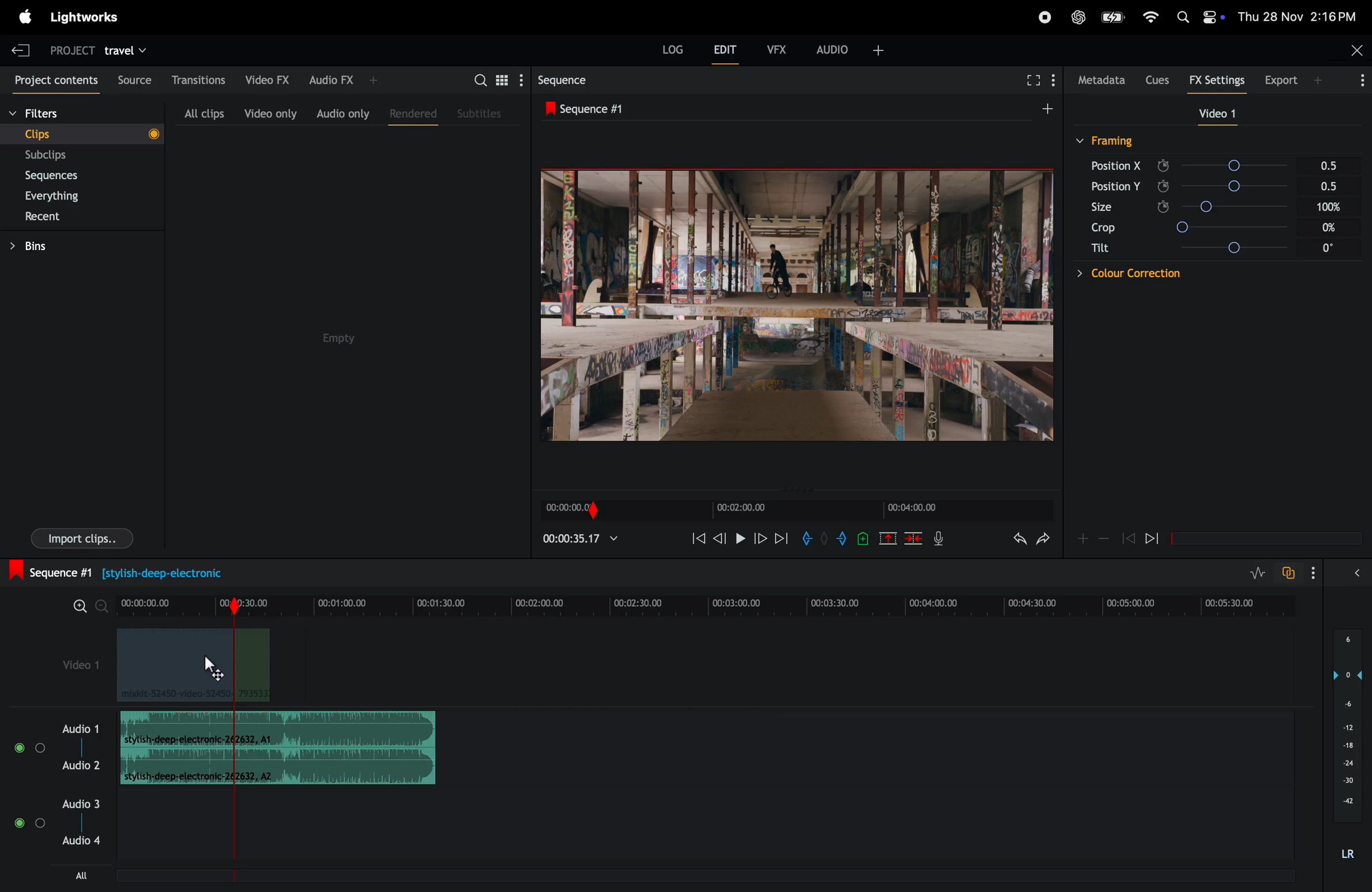 Image resolution: width=1372 pixels, height=892 pixels. Describe the element at coordinates (1257, 227) in the screenshot. I see `angle` at that location.